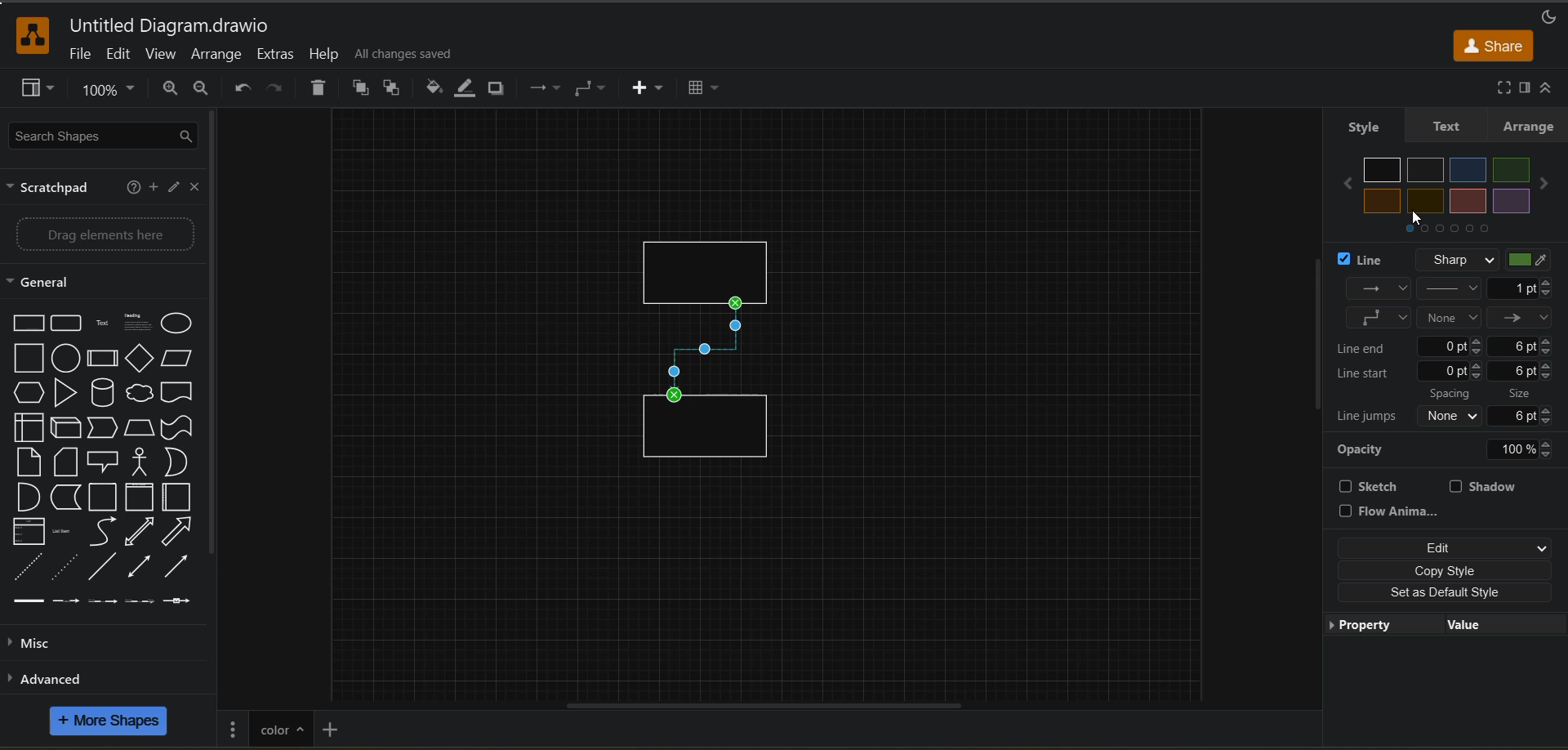 The height and width of the screenshot is (750, 1568). Describe the element at coordinates (409, 54) in the screenshot. I see `all changes saved` at that location.